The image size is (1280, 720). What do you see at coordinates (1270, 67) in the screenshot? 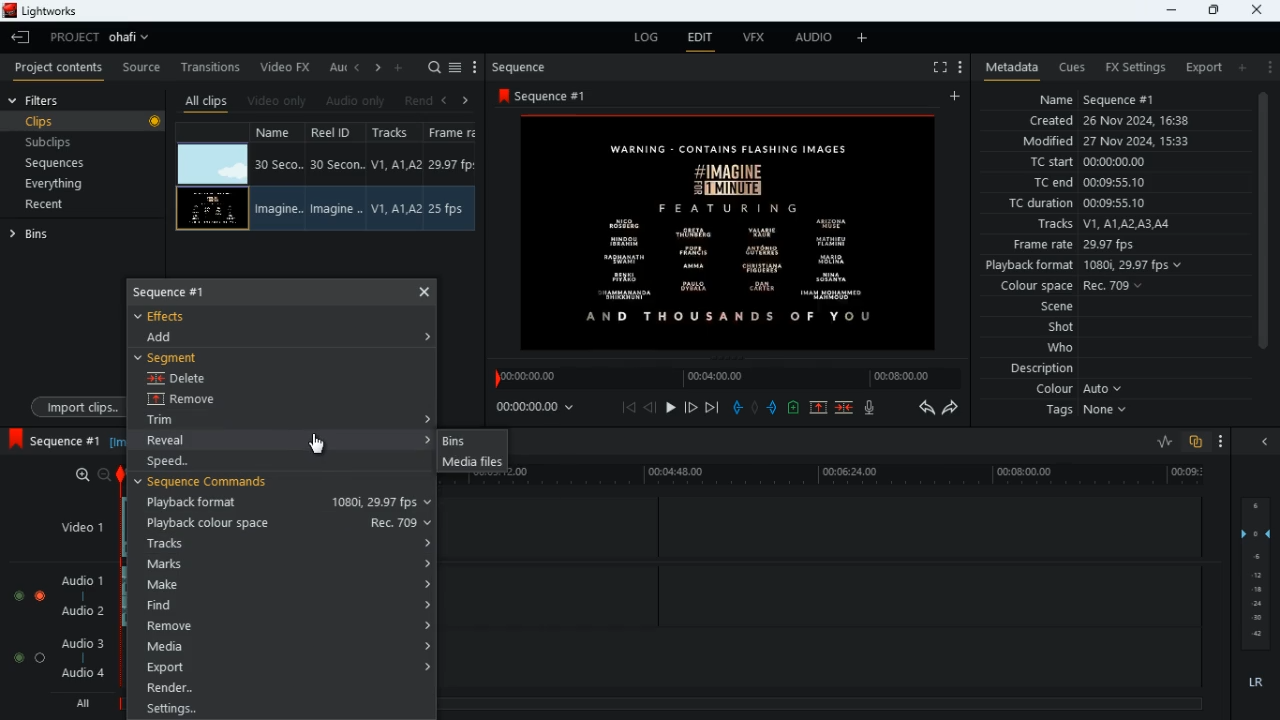
I see `more` at bounding box center [1270, 67].